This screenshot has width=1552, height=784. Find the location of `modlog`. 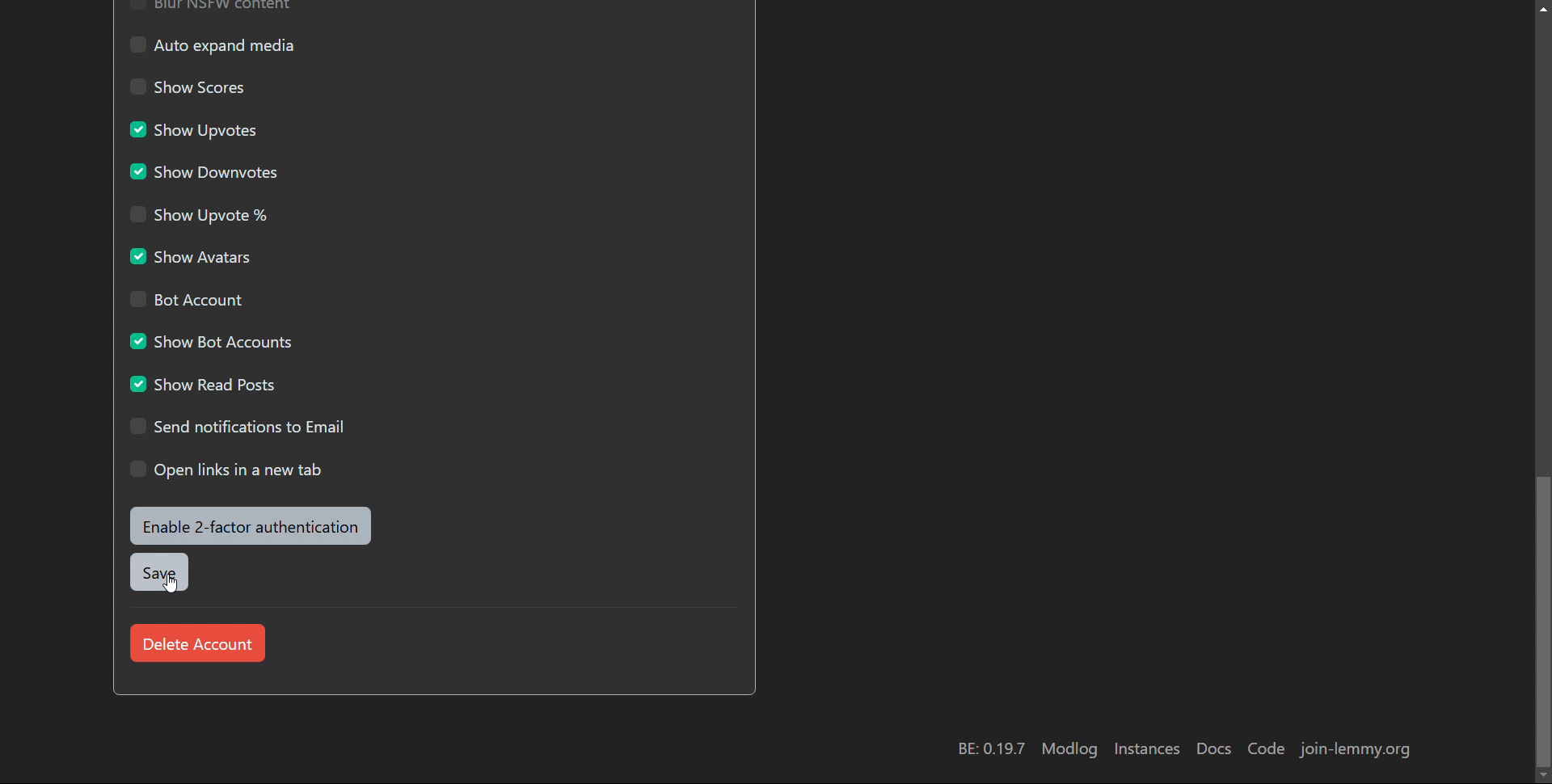

modlog is located at coordinates (1069, 750).